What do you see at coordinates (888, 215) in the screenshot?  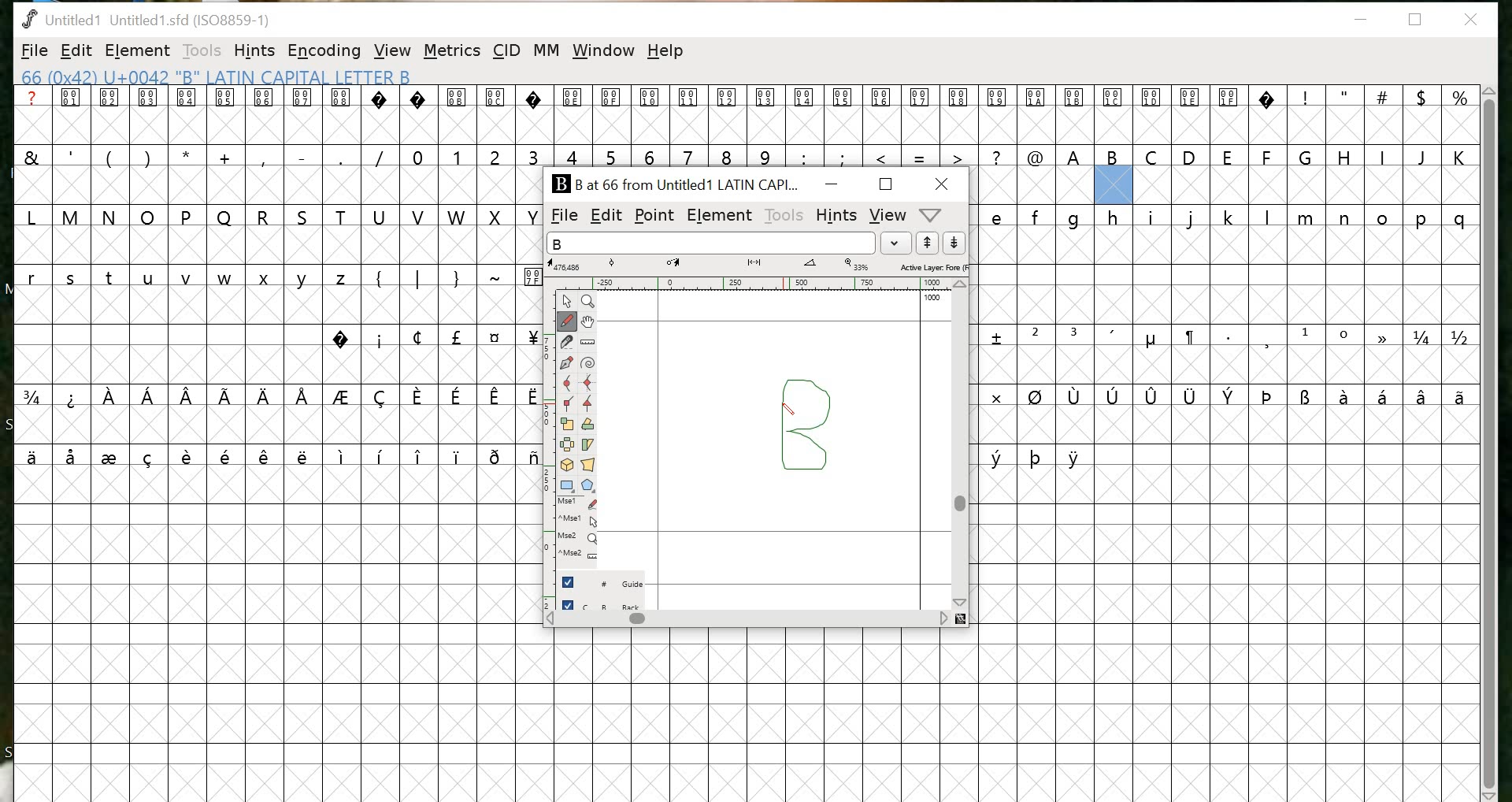 I see `VIEW` at bounding box center [888, 215].